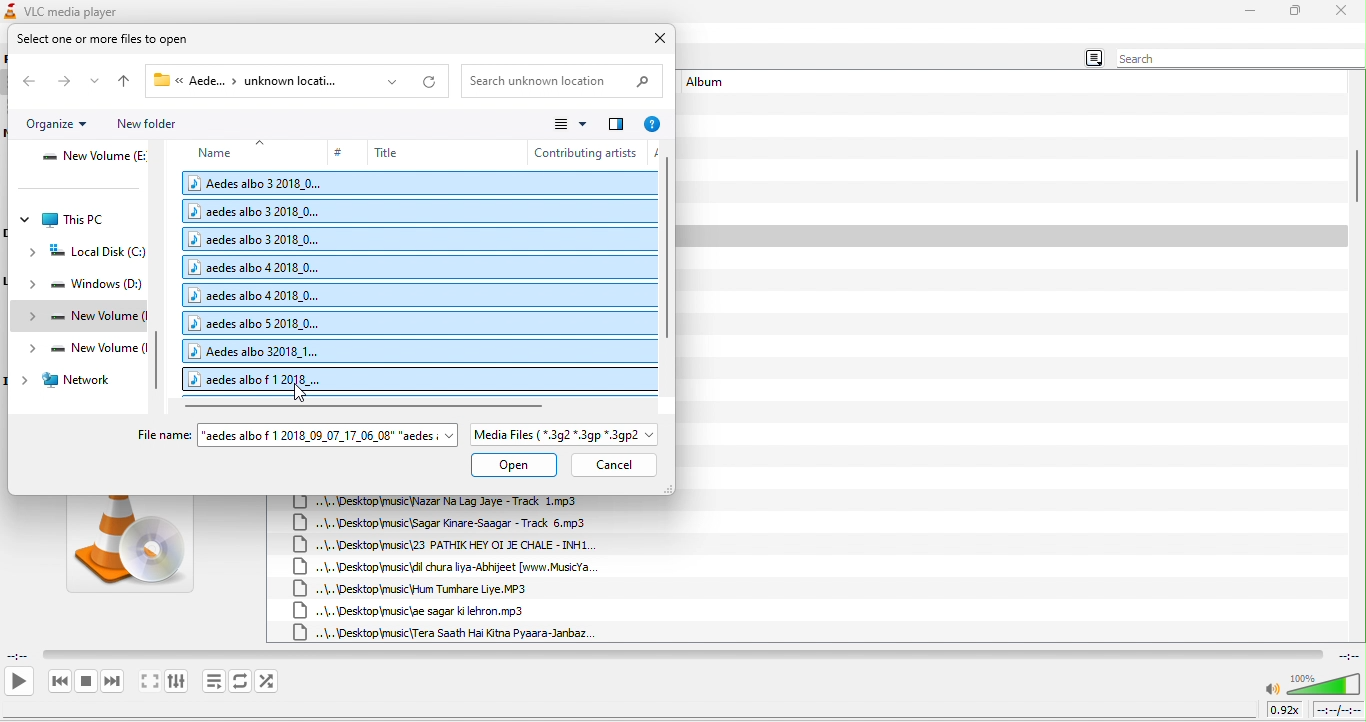 The width and height of the screenshot is (1366, 722). What do you see at coordinates (414, 588) in the screenshot?
I see `..\..\Desktop\music\Hum Tumhare Liye. MP3` at bounding box center [414, 588].